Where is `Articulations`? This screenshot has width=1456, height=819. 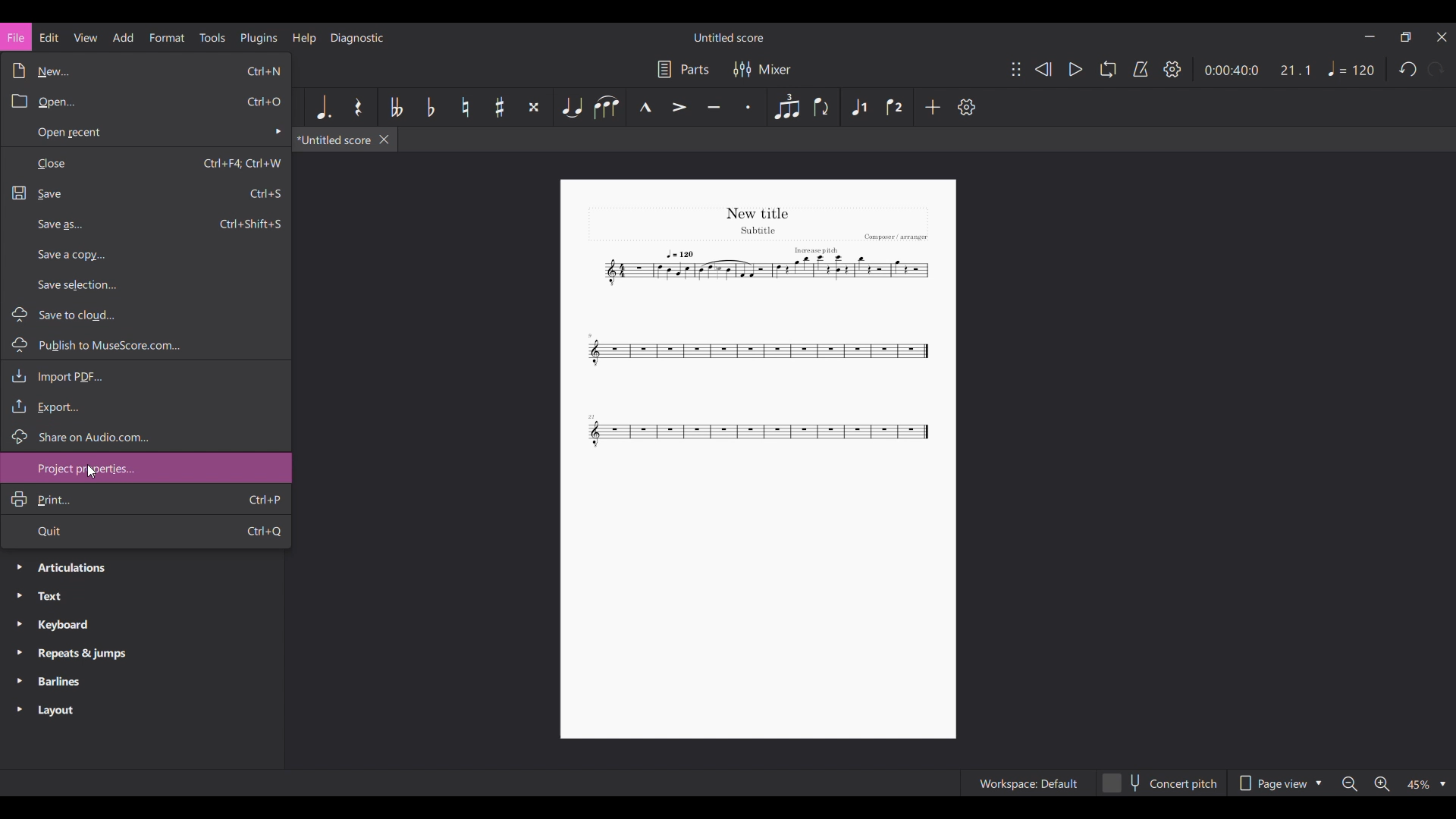
Articulations is located at coordinates (141, 568).